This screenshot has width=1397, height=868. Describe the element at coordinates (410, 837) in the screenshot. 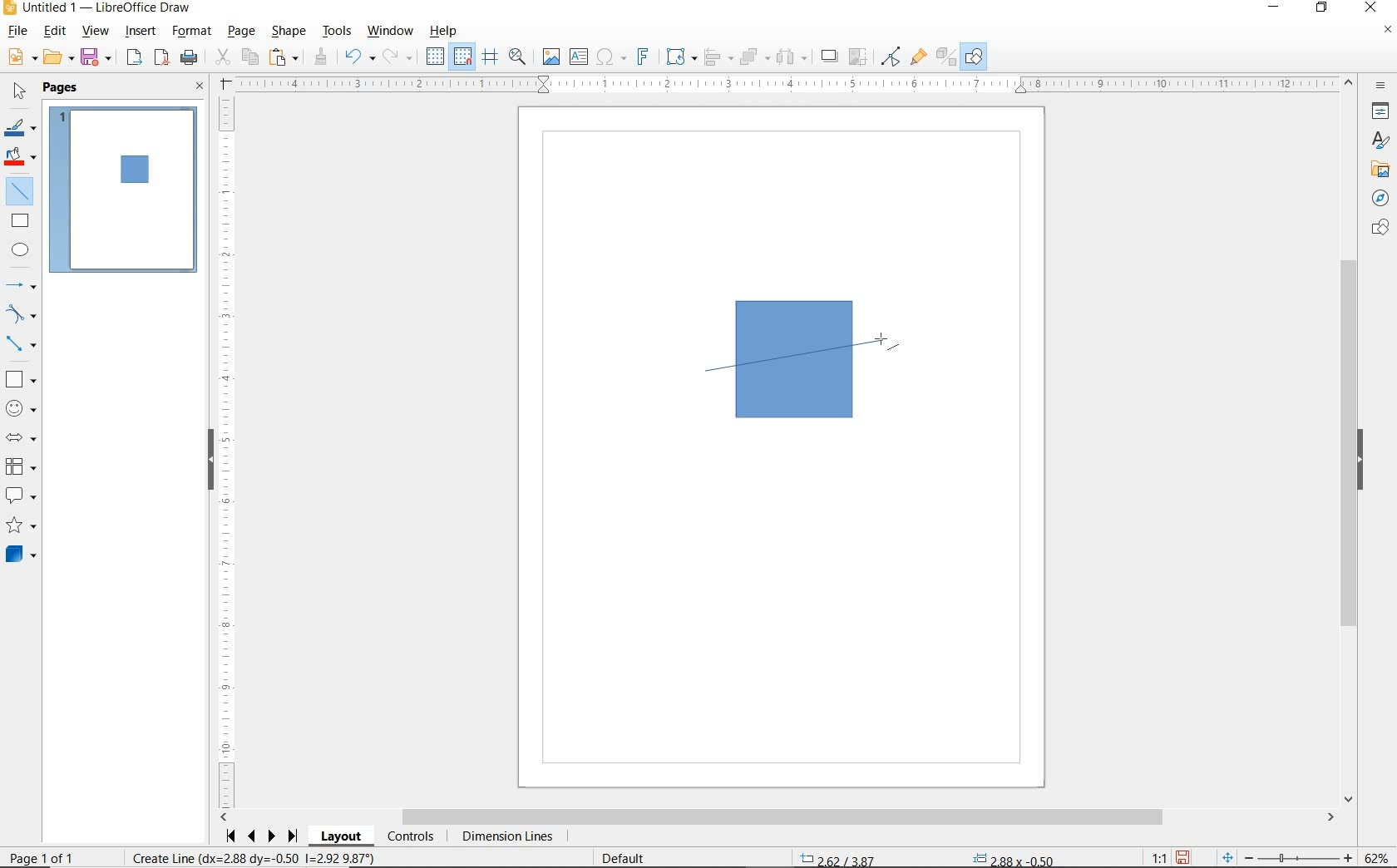

I see `CONTROLS` at that location.